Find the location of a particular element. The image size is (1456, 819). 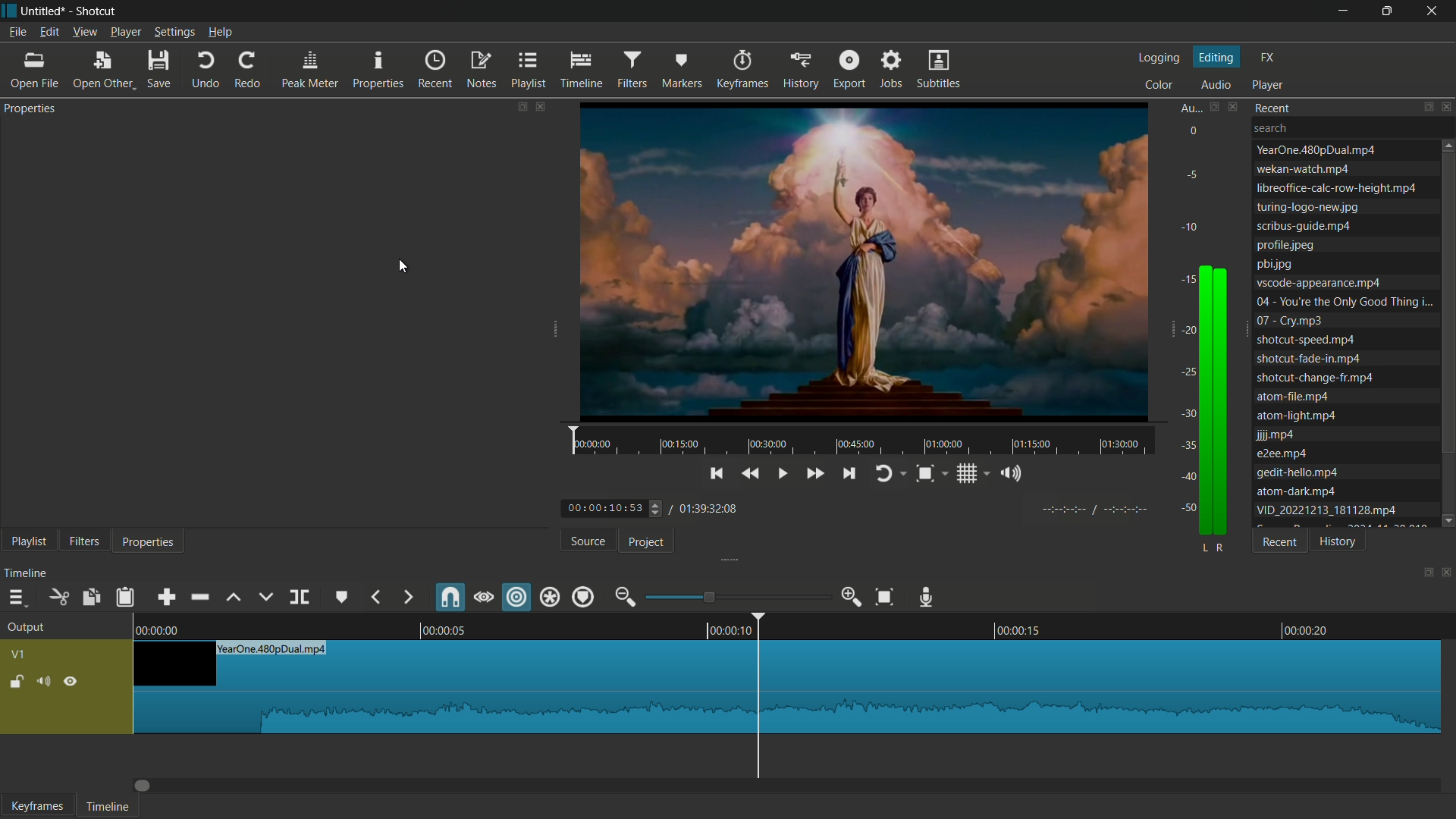

cursor is located at coordinates (404, 267).